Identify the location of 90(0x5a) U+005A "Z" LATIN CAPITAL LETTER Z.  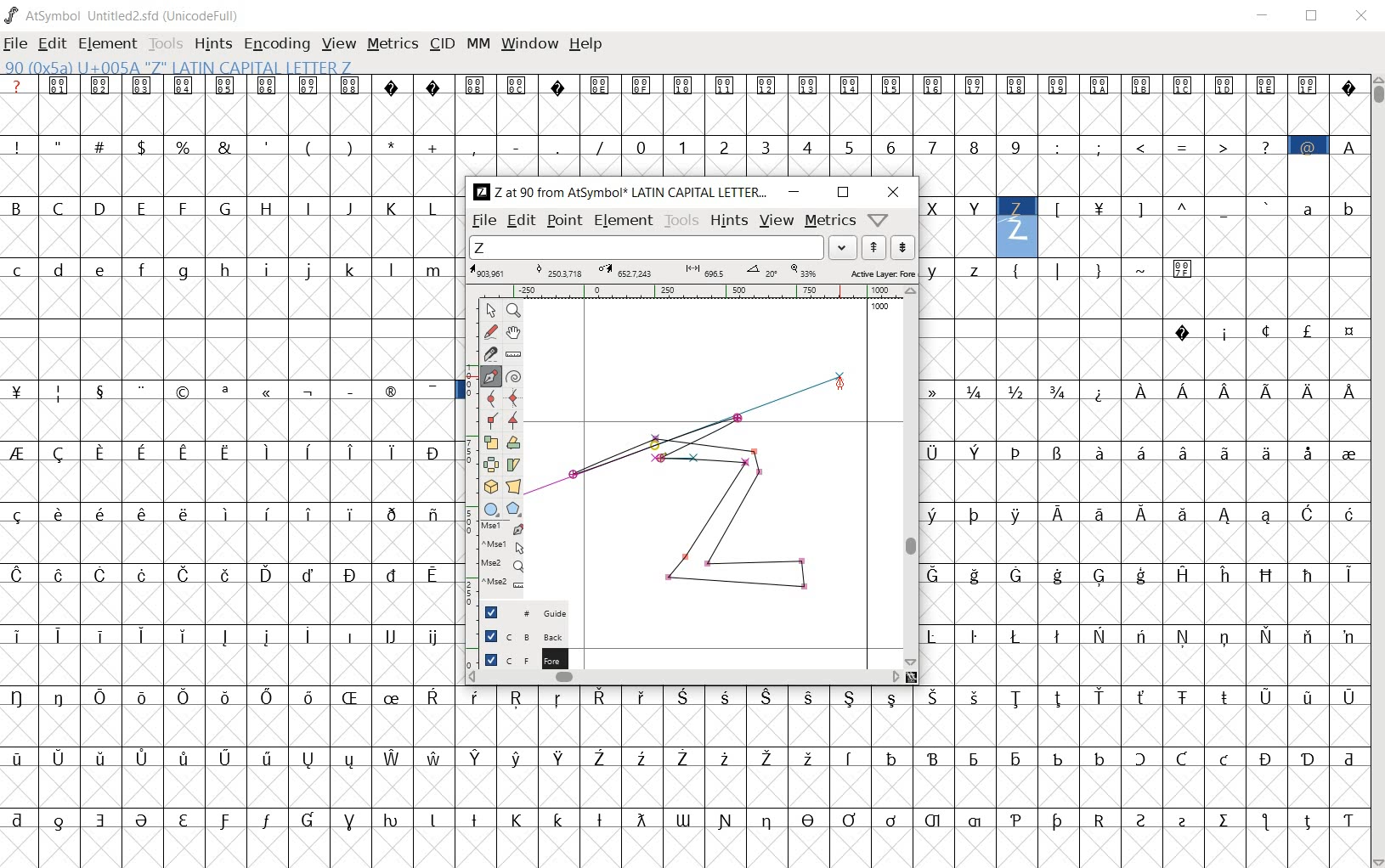
(1017, 221).